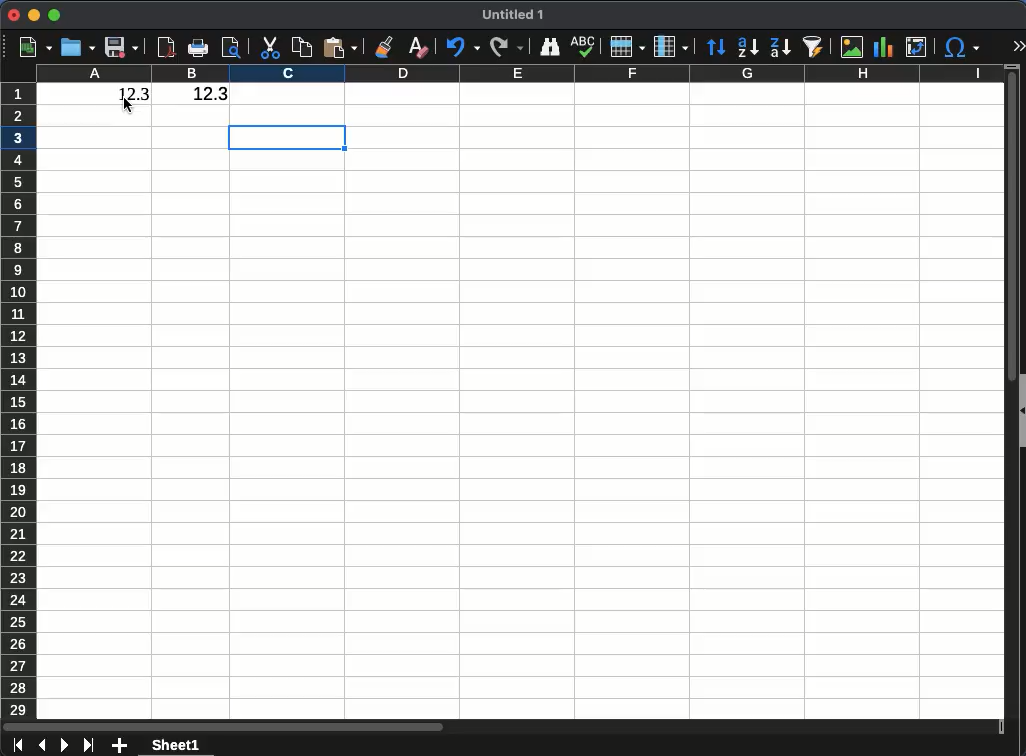 This screenshot has width=1026, height=756. I want to click on Collapse/Expand, so click(1022, 411).